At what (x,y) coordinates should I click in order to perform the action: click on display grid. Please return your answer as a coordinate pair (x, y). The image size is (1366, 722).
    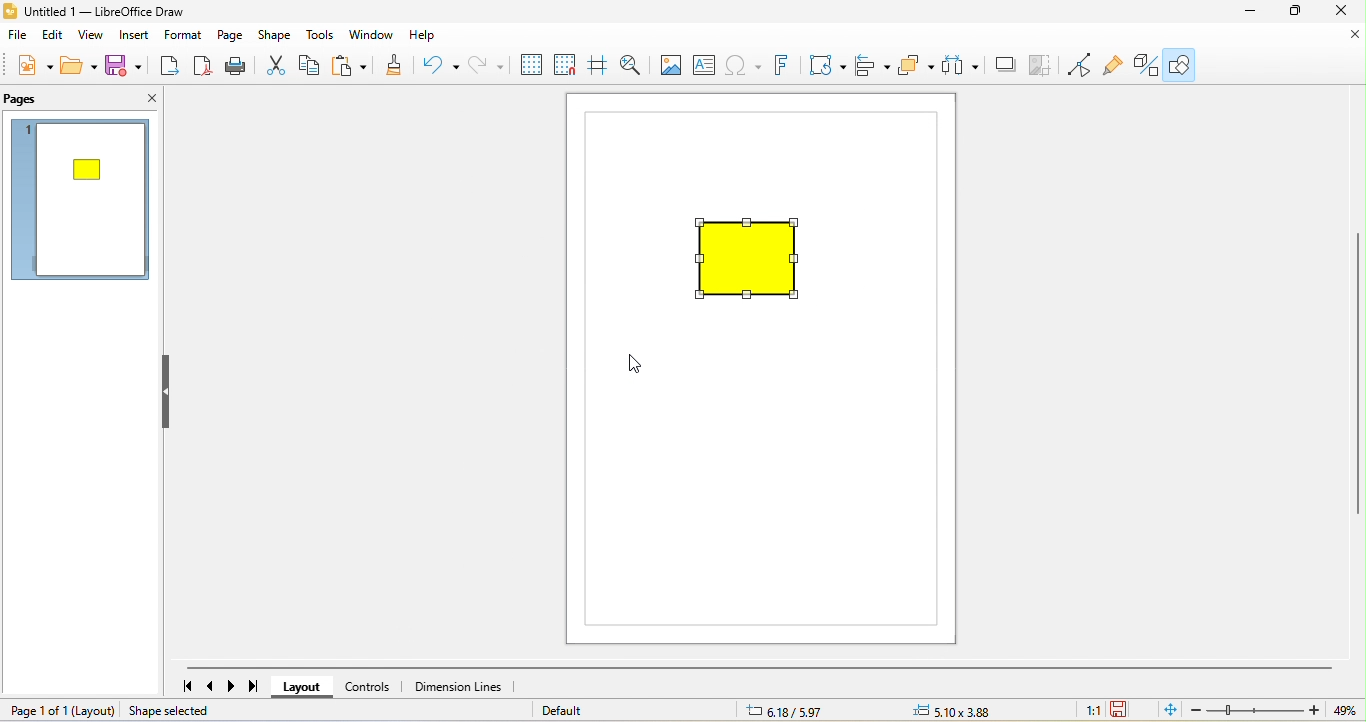
    Looking at the image, I should click on (531, 63).